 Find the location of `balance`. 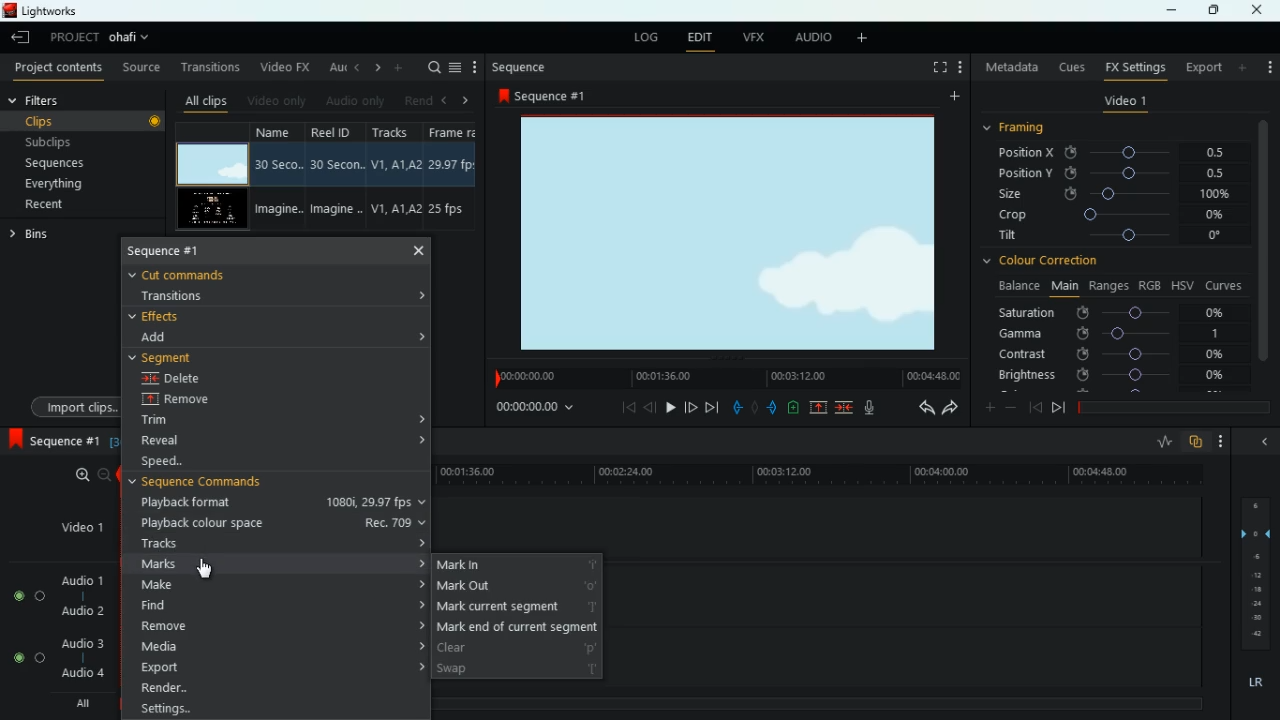

balance is located at coordinates (1014, 287).